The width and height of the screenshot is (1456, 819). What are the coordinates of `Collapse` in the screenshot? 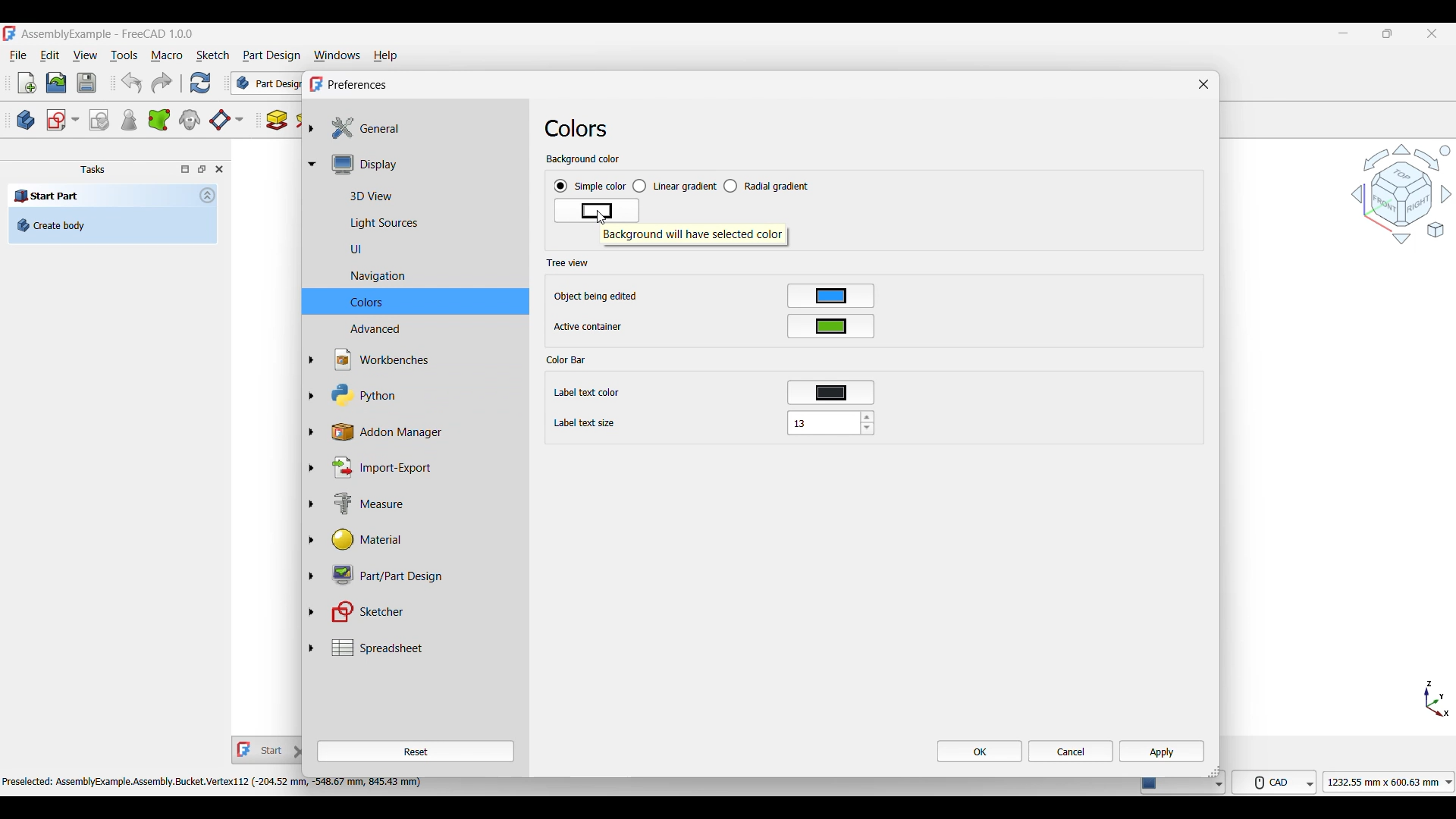 It's located at (208, 195).